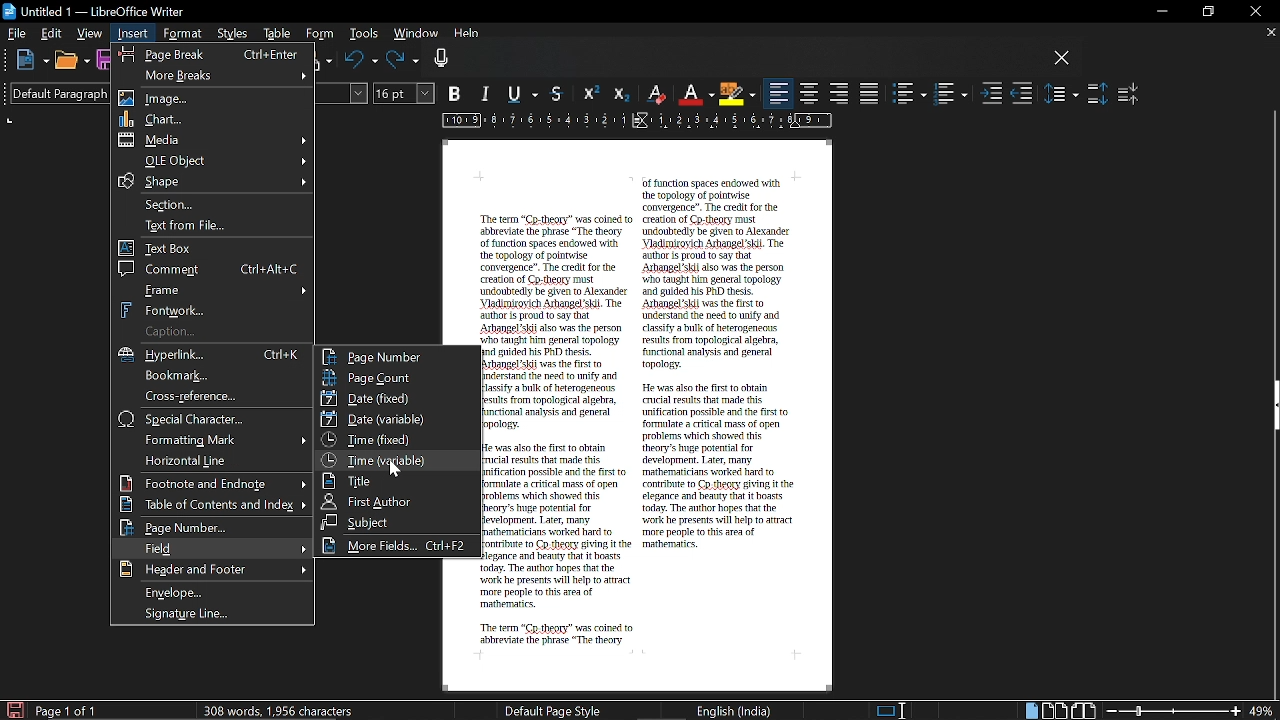 The image size is (1280, 720). I want to click on Increase paragraph spacing, so click(1097, 94).